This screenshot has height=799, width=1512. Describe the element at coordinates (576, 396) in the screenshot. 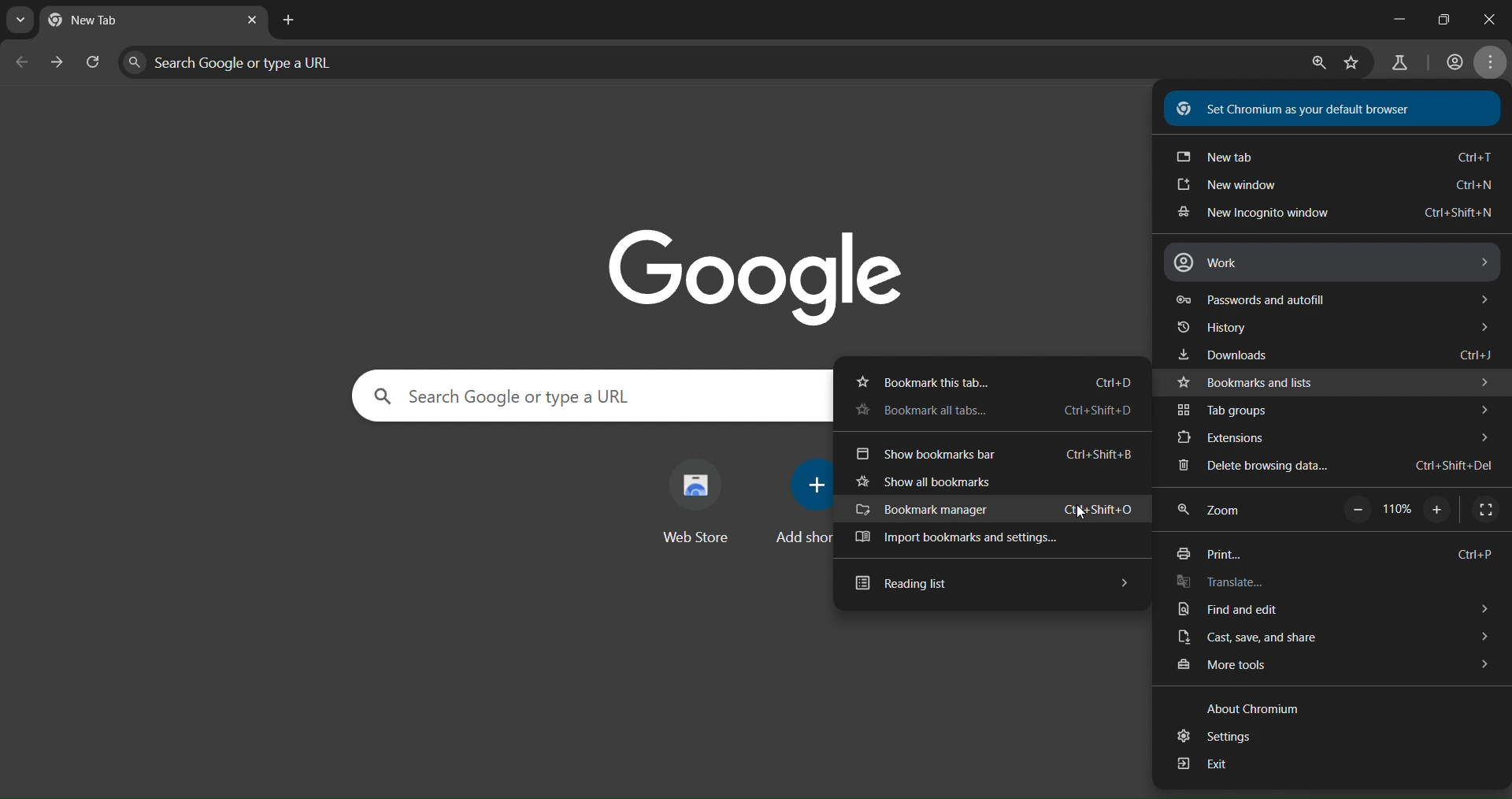

I see `search panel` at that location.